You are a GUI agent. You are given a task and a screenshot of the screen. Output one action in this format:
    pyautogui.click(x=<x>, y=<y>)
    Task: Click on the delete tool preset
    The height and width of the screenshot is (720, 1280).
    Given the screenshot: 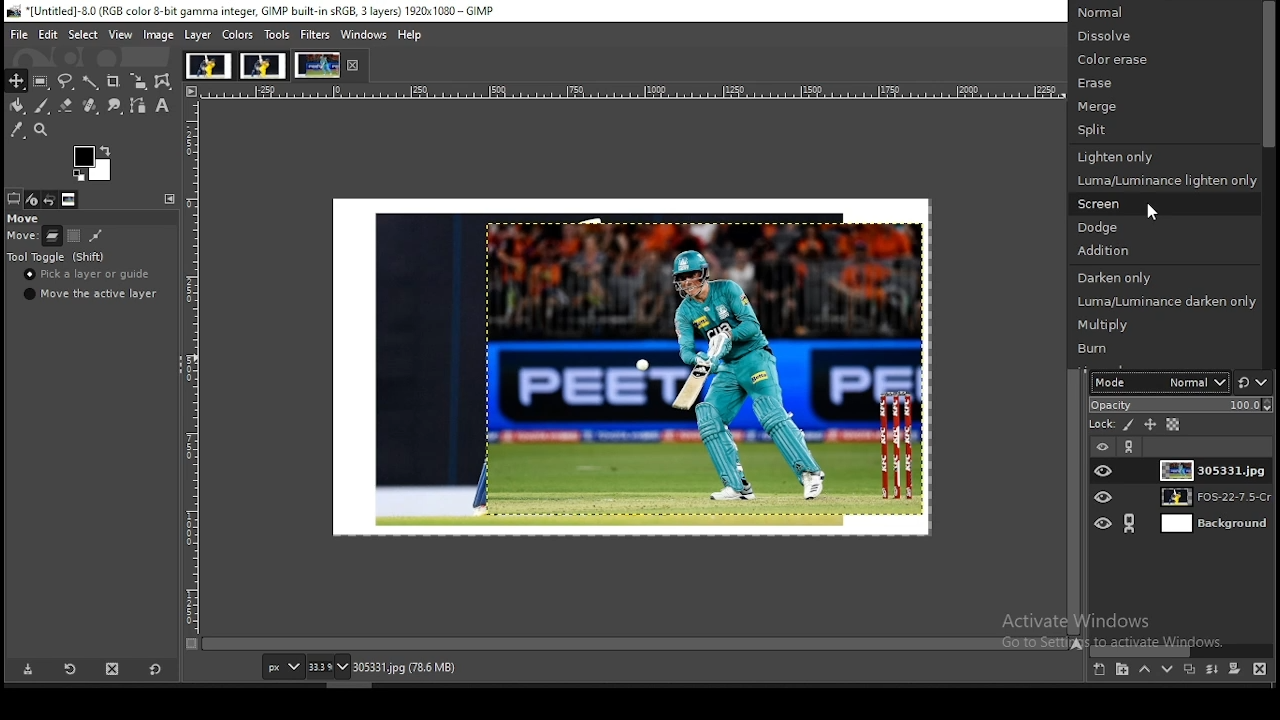 What is the action you would take?
    pyautogui.click(x=110, y=669)
    